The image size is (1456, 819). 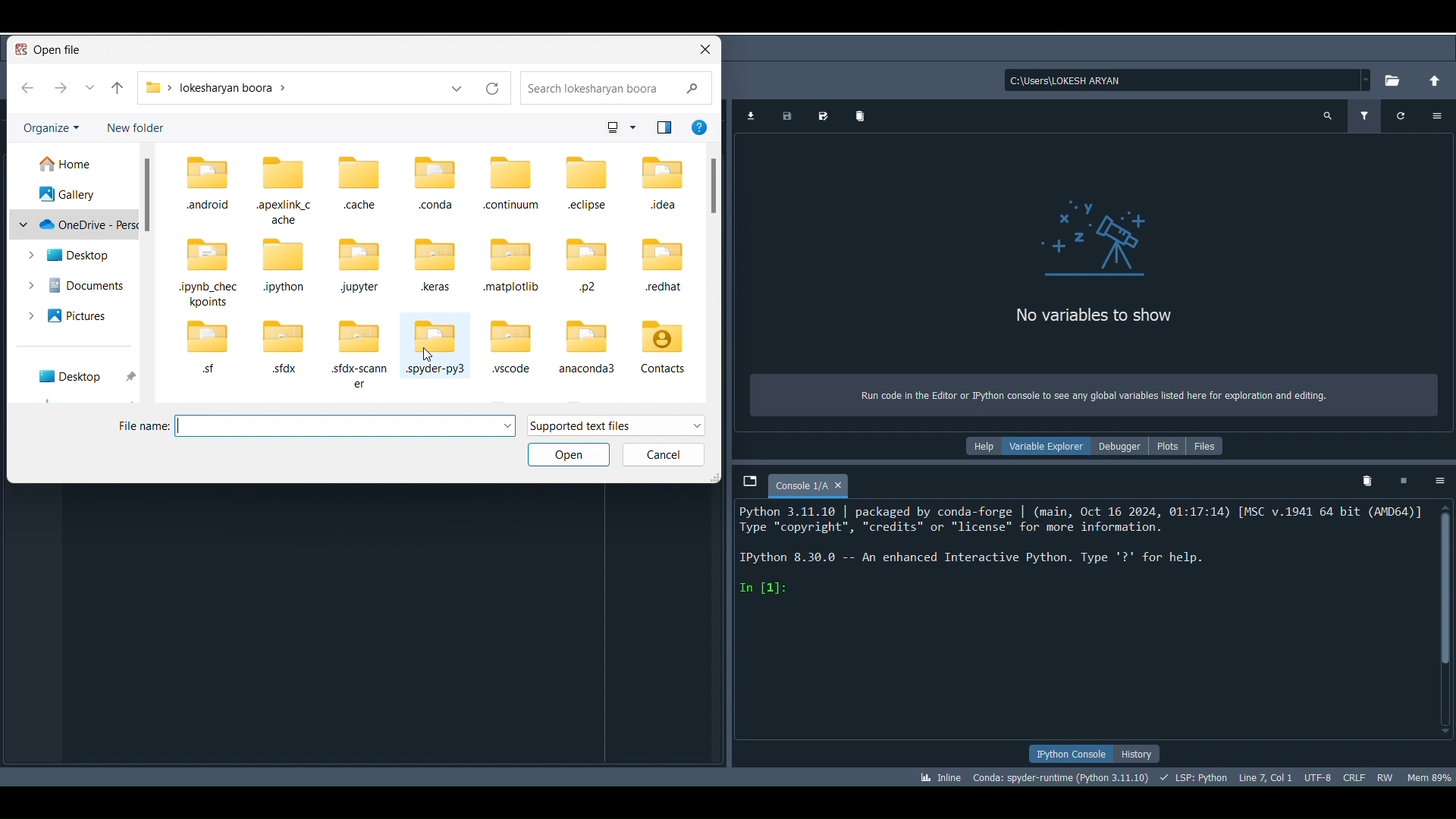 I want to click on No variables to show, so click(x=1084, y=266).